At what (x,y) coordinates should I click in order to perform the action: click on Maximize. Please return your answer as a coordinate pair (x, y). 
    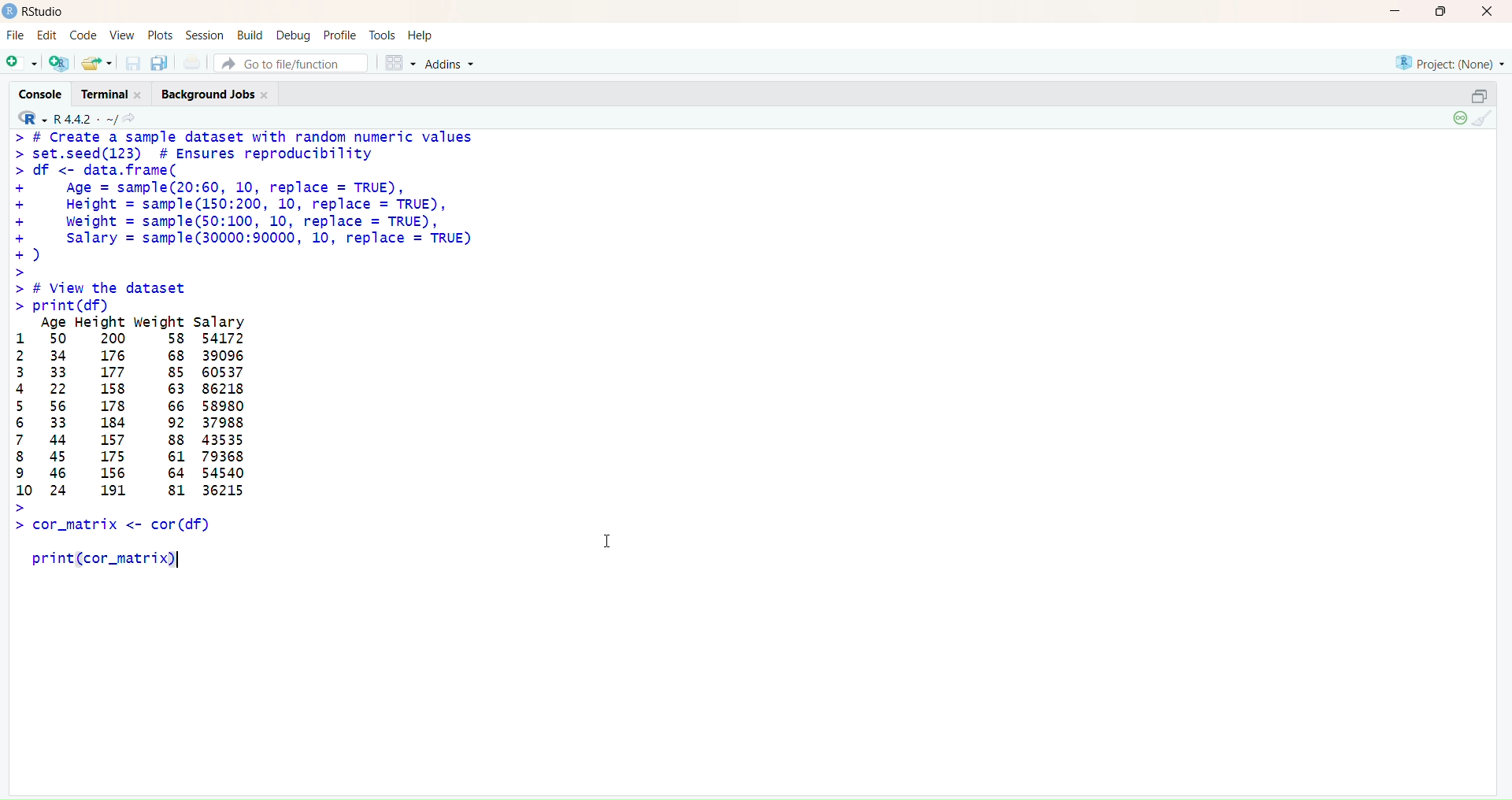
    Looking at the image, I should click on (1441, 12).